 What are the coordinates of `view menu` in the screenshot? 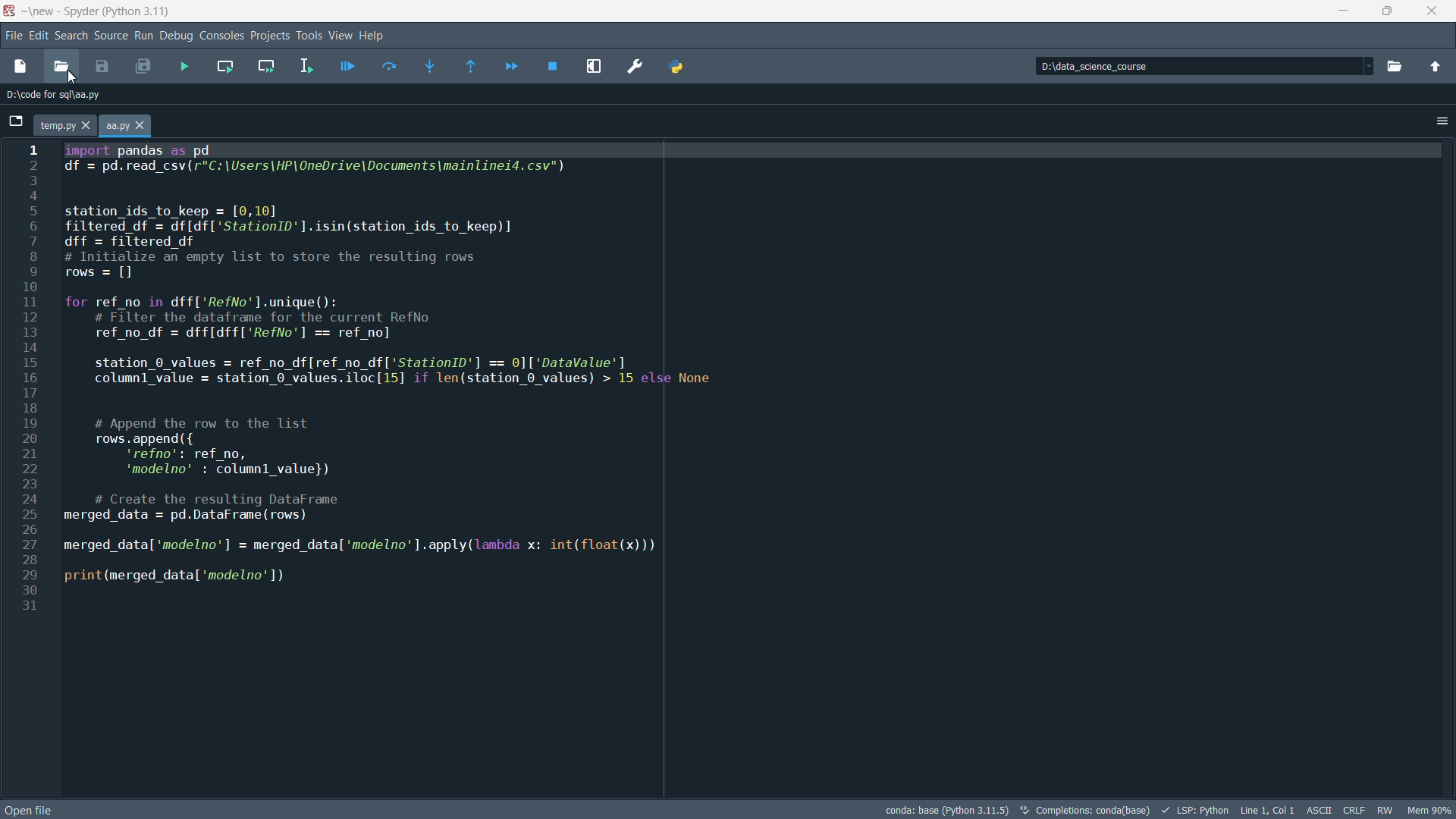 It's located at (342, 36).